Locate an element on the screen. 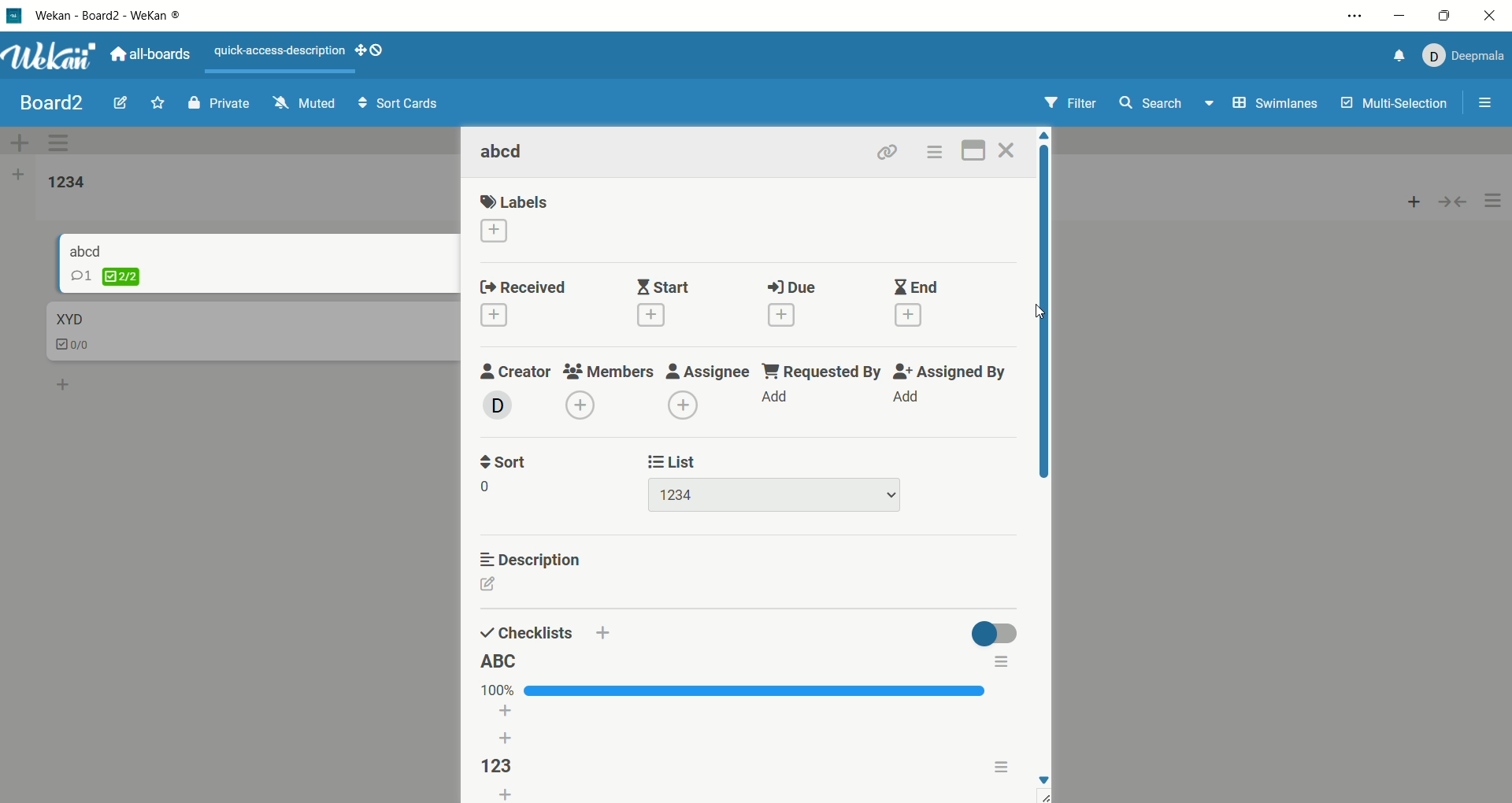 The width and height of the screenshot is (1512, 803). notification is located at coordinates (1395, 58).